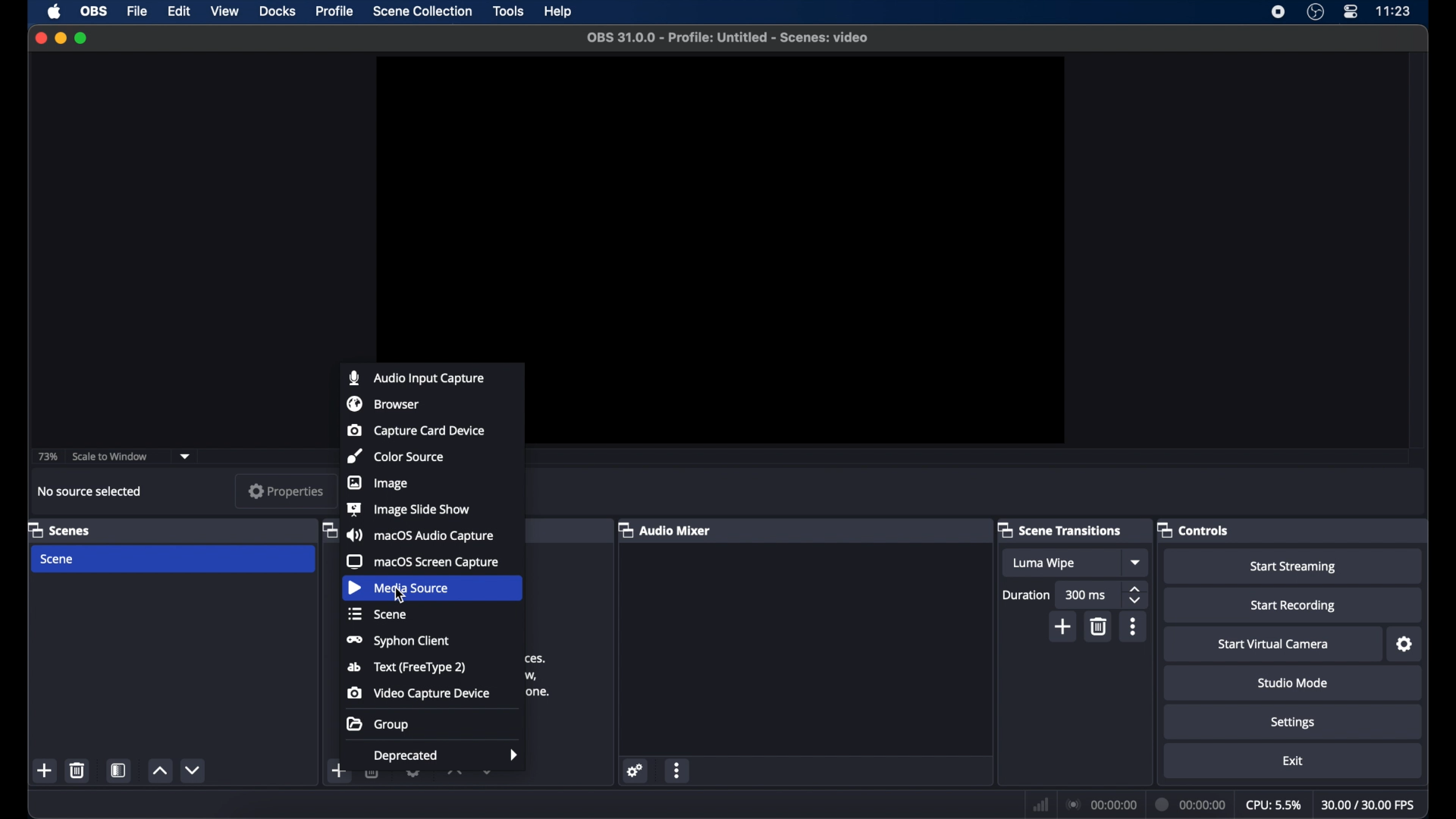 Image resolution: width=1456 pixels, height=819 pixels. Describe the element at coordinates (406, 667) in the screenshot. I see `text` at that location.